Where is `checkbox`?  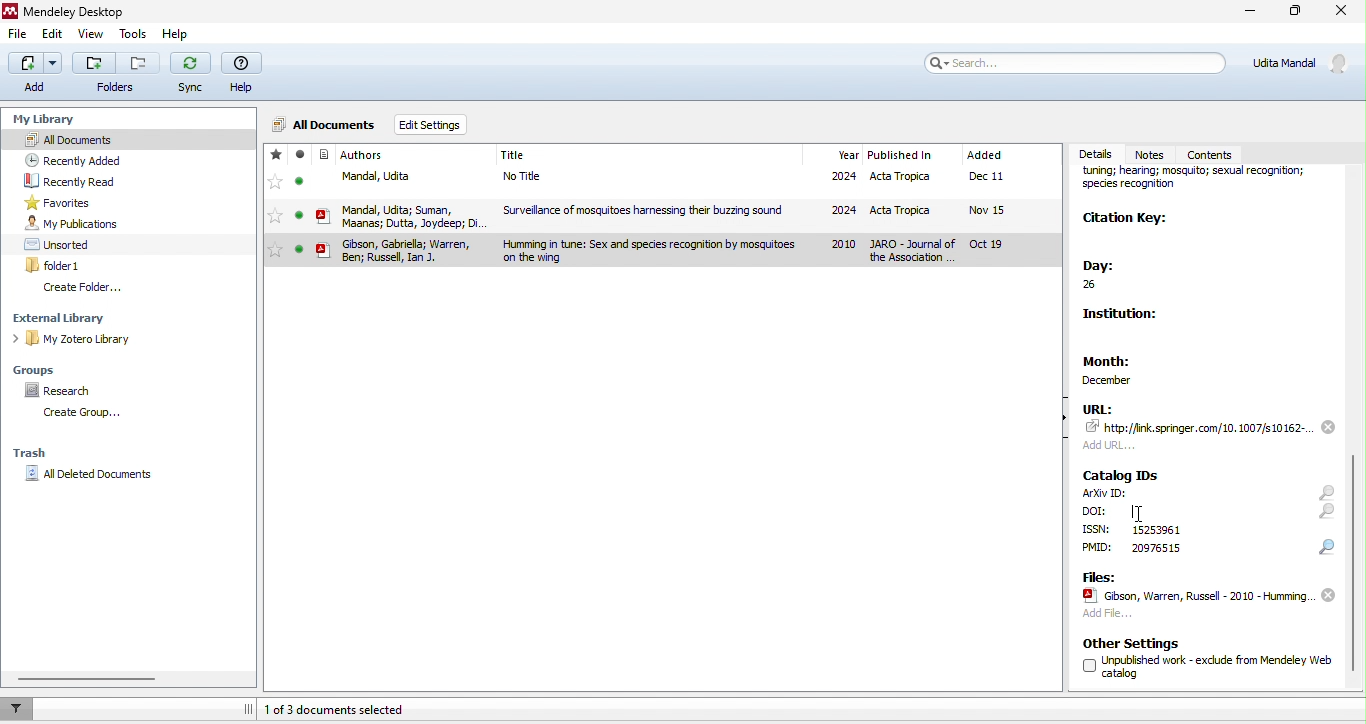 checkbox is located at coordinates (1088, 666).